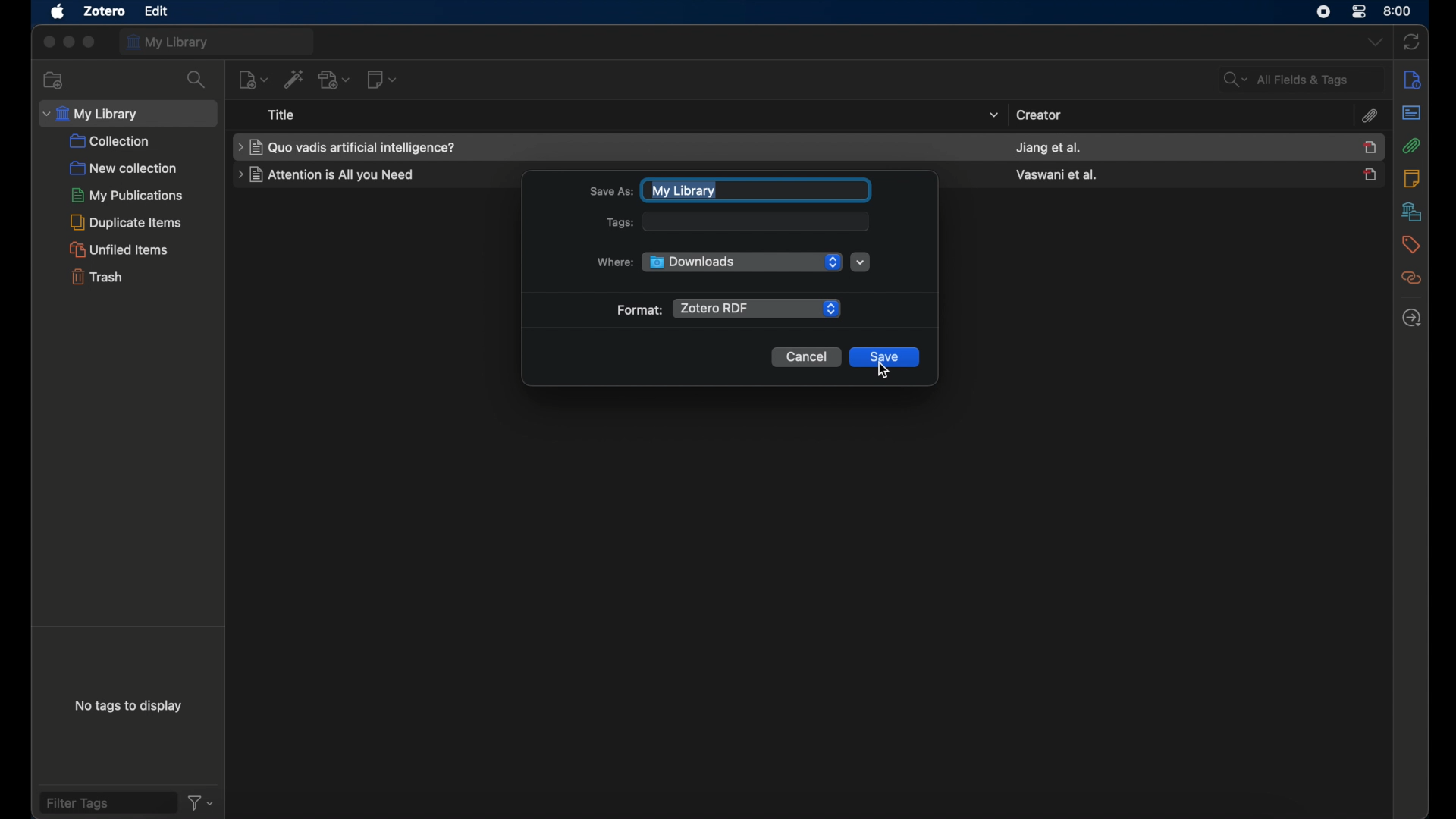  What do you see at coordinates (110, 142) in the screenshot?
I see `collection` at bounding box center [110, 142].